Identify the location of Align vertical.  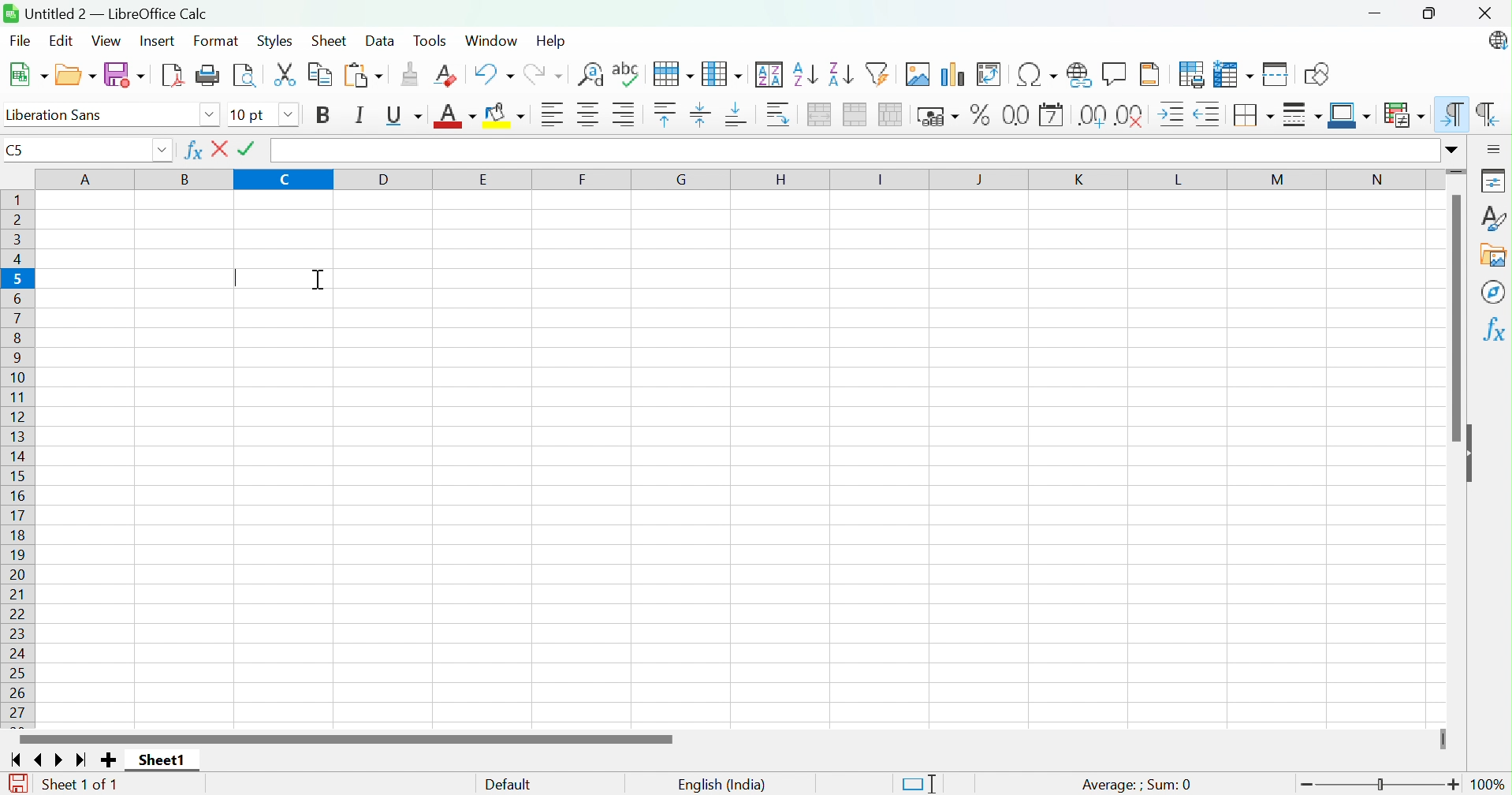
(699, 116).